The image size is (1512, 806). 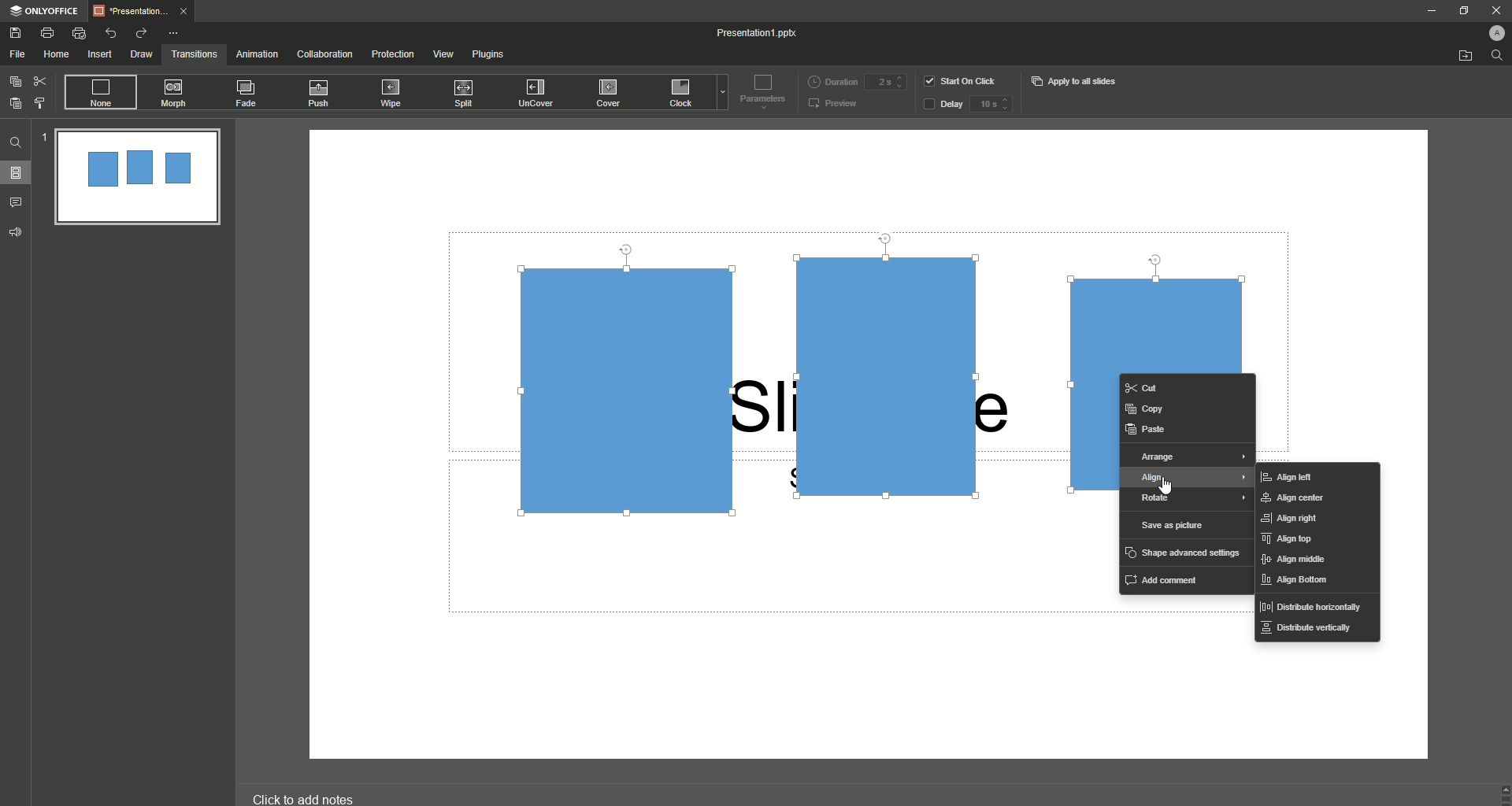 I want to click on Presentation 1, so click(x=759, y=33).